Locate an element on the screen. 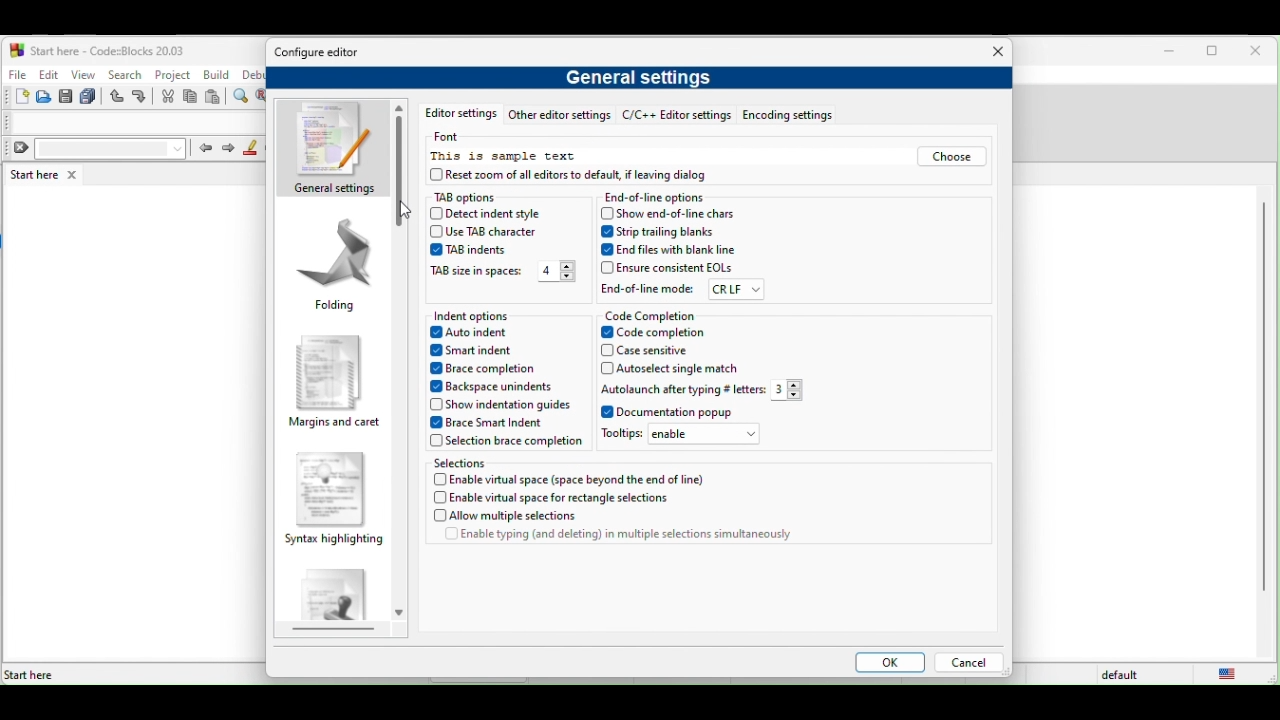 This screenshot has width=1280, height=720. save everything is located at coordinates (90, 97).